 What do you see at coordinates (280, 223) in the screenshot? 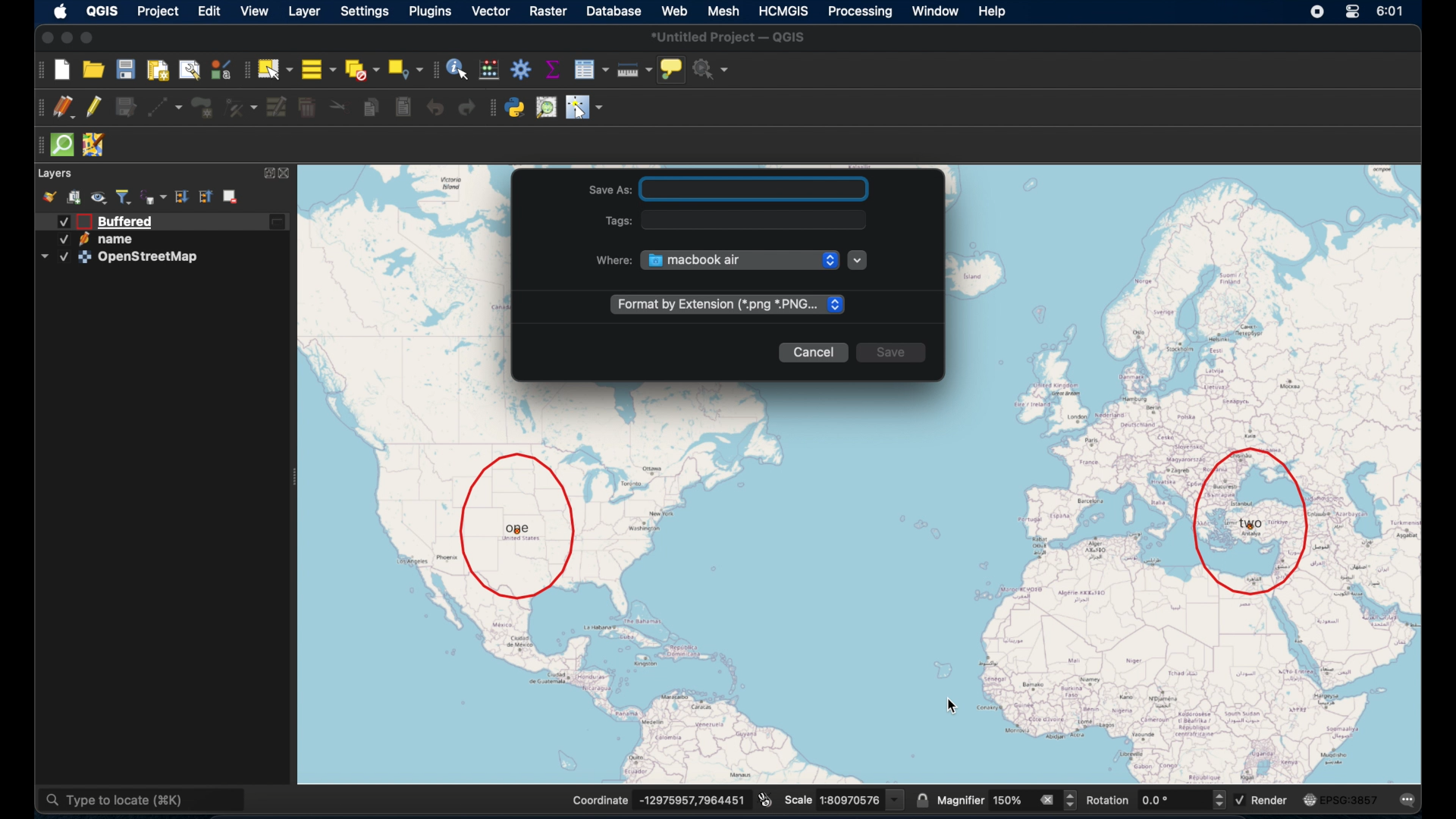
I see `edited layer icon` at bounding box center [280, 223].